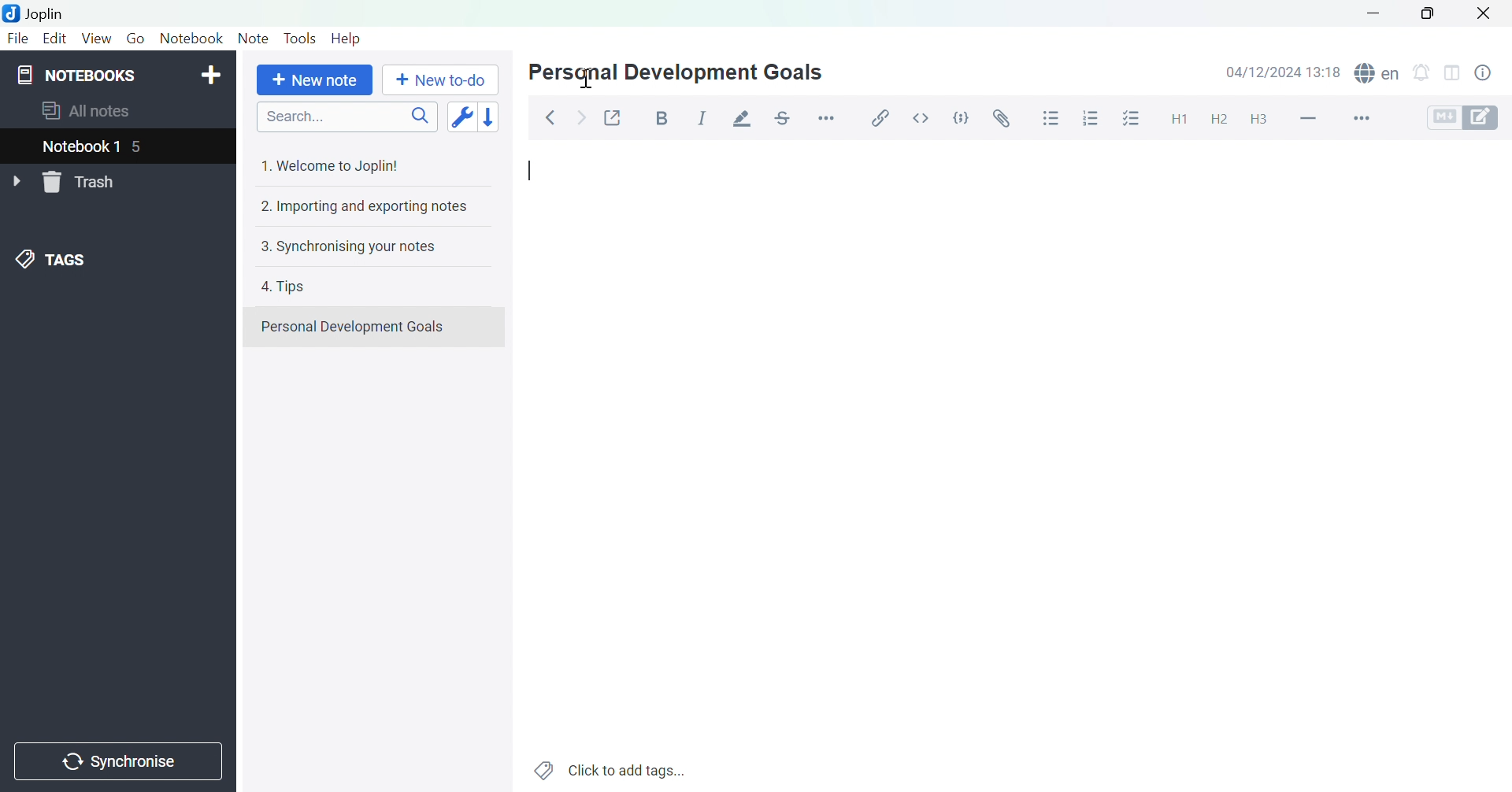  What do you see at coordinates (673, 74) in the screenshot?
I see `Personal Development Goals` at bounding box center [673, 74].